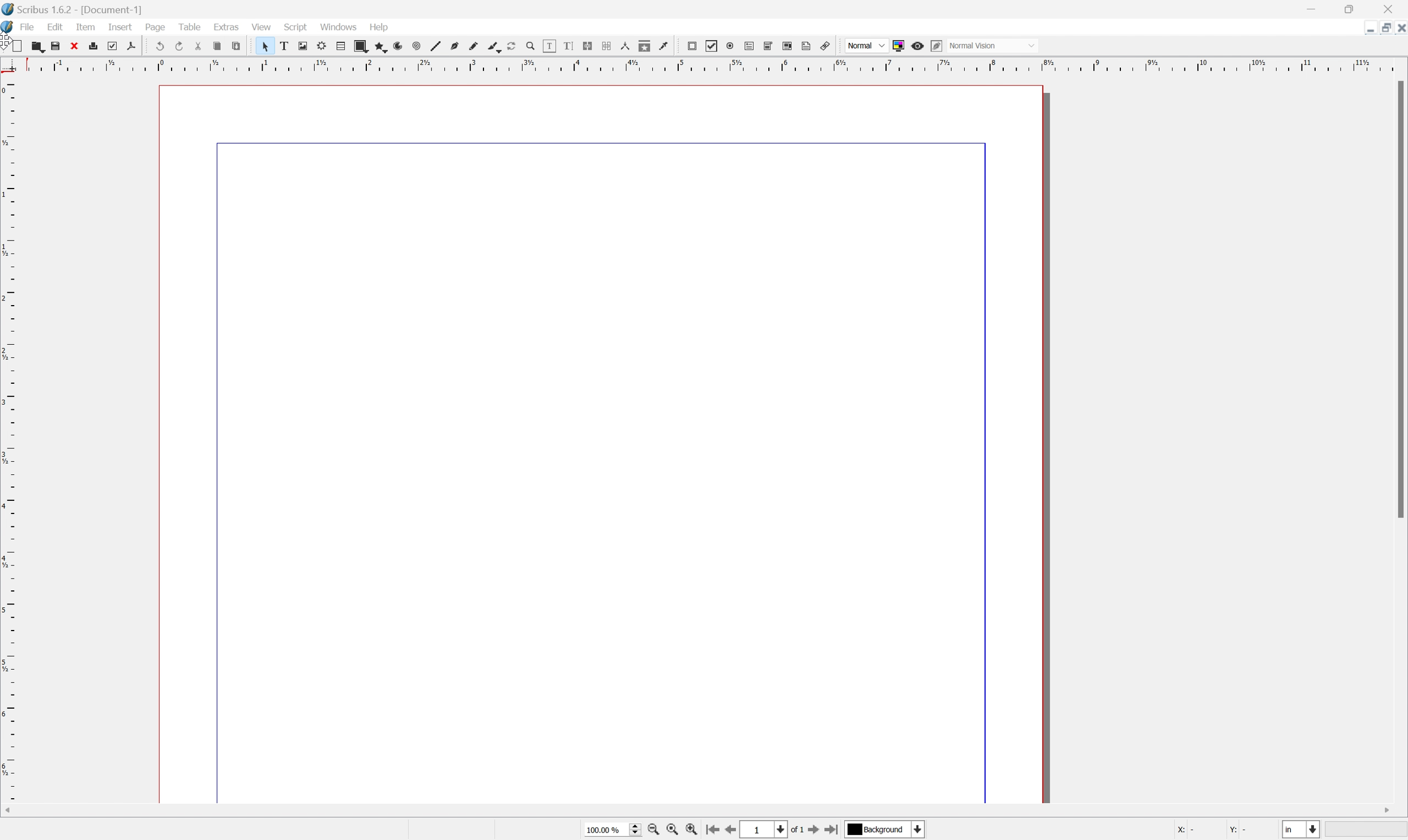  What do you see at coordinates (916, 46) in the screenshot?
I see `preview mode` at bounding box center [916, 46].